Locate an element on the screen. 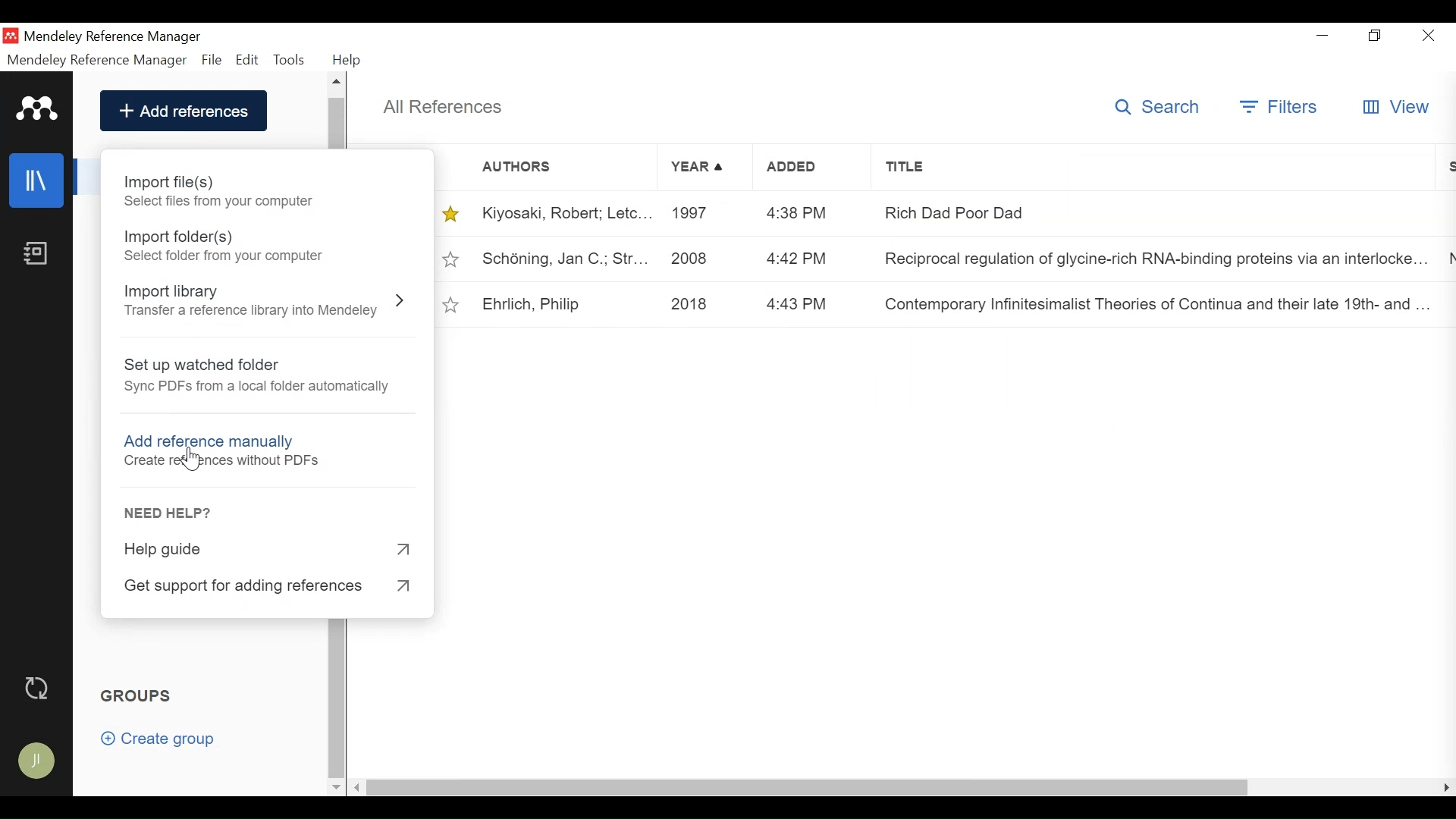  Transfer a reference library into Mendeley is located at coordinates (249, 312).